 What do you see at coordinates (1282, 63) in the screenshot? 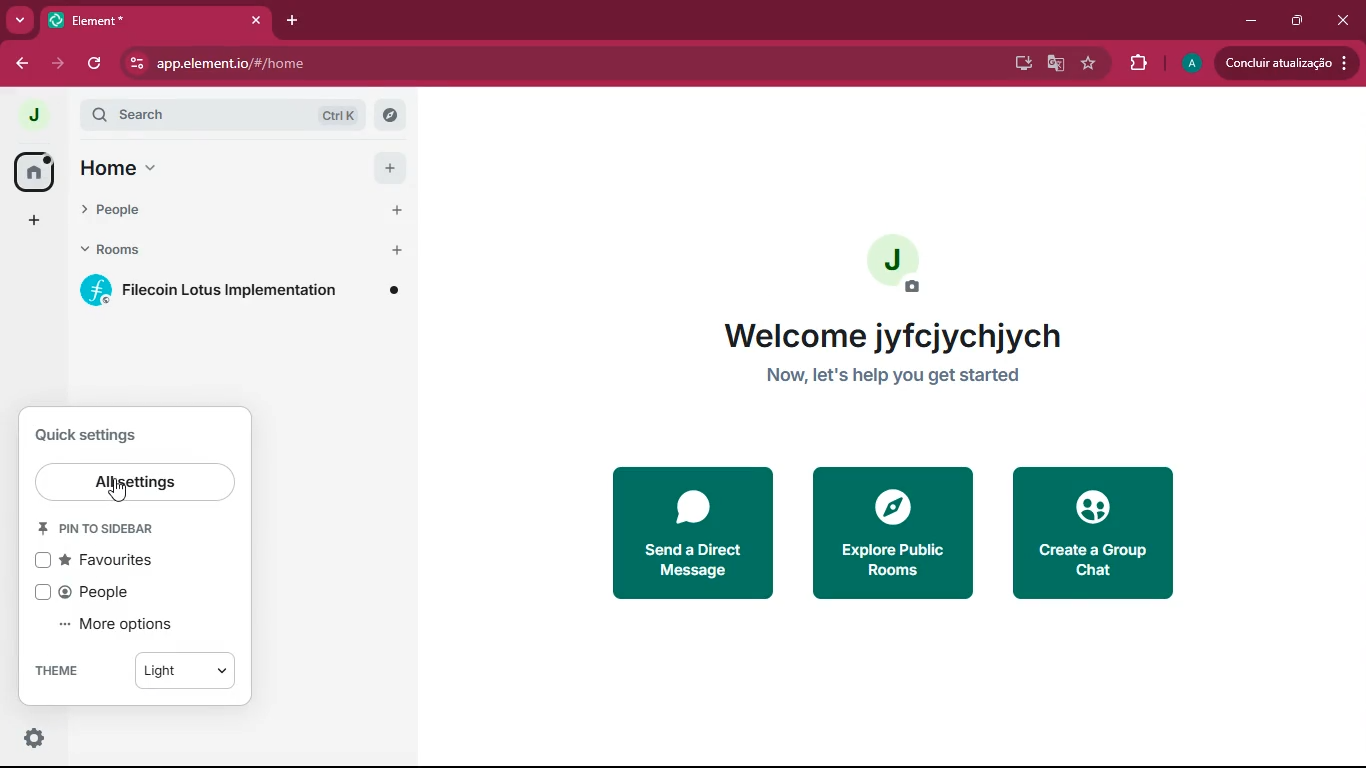
I see `update` at bounding box center [1282, 63].